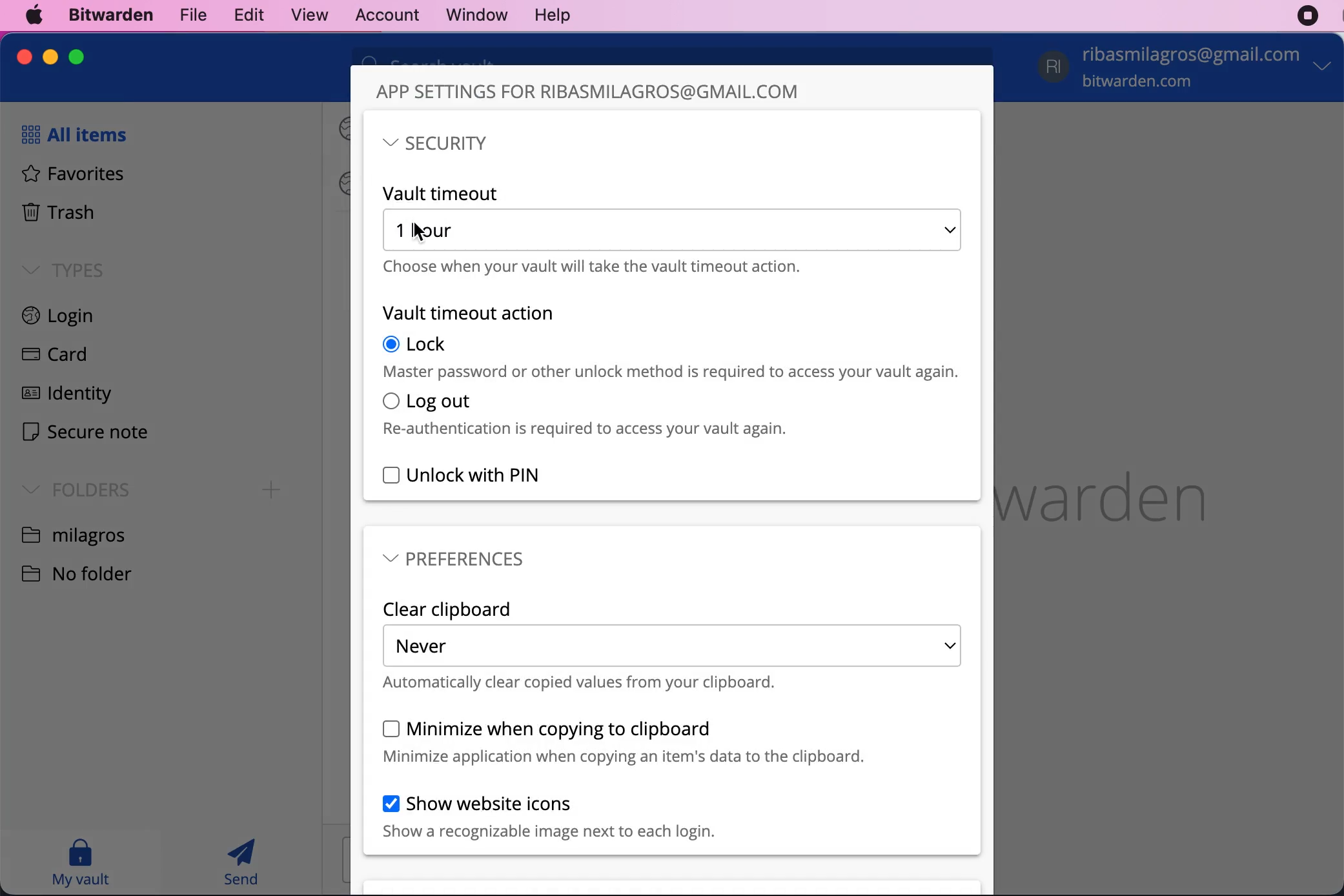 The height and width of the screenshot is (896, 1344). Describe the element at coordinates (672, 646) in the screenshot. I see `never` at that location.